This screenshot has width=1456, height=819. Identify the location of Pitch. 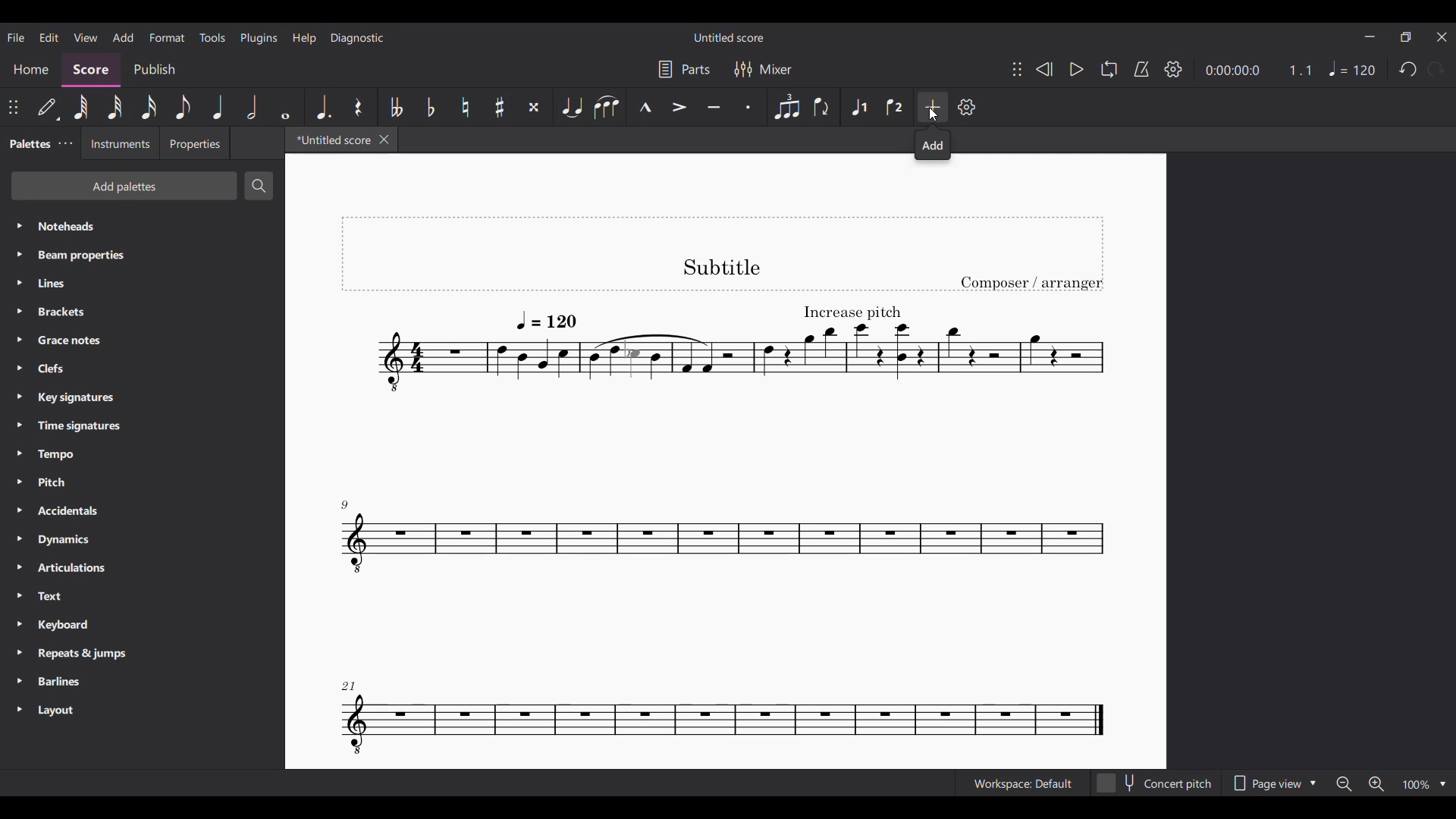
(143, 482).